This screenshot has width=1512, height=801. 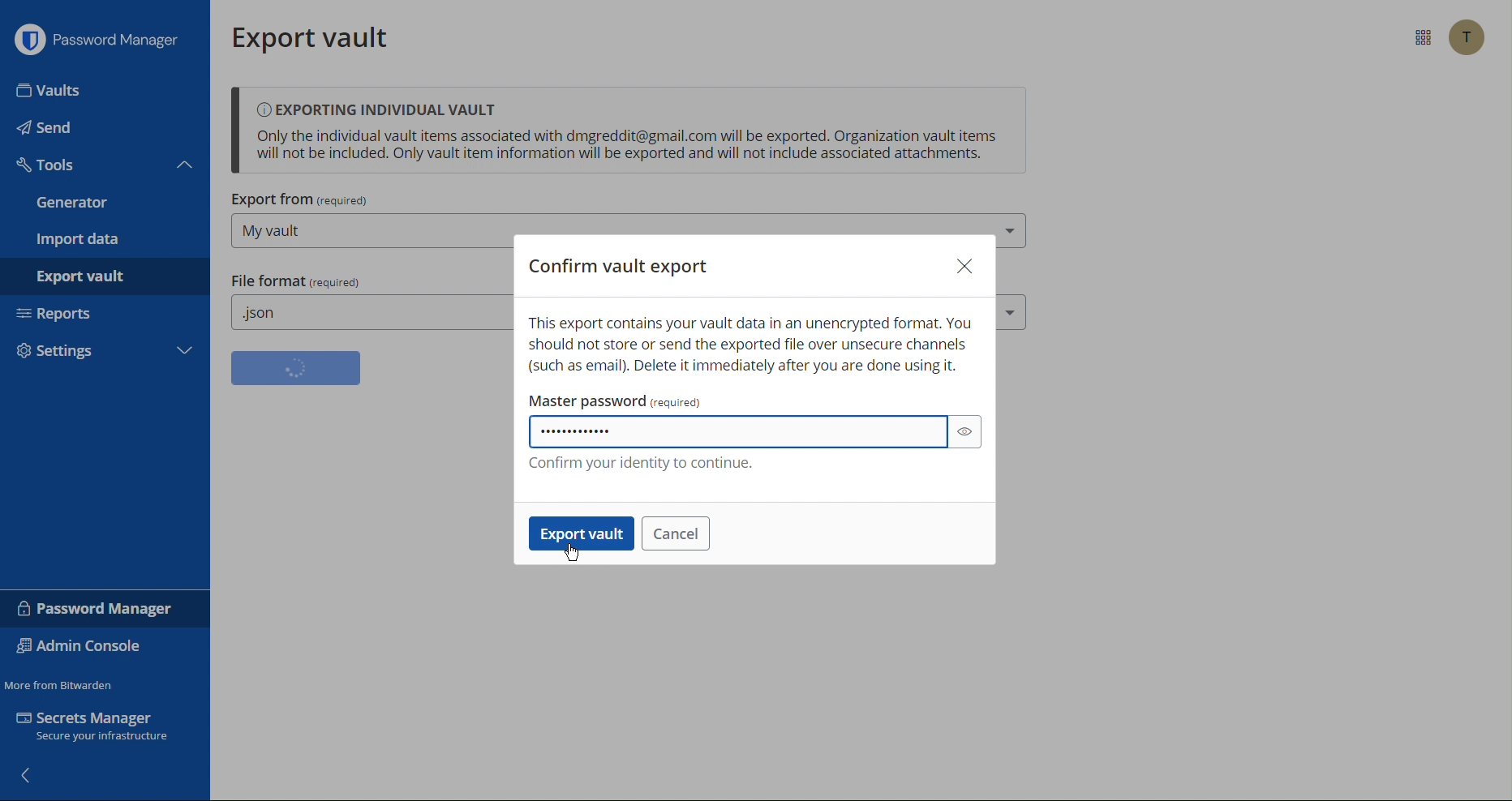 What do you see at coordinates (62, 682) in the screenshot?
I see `Move from Bitwarden` at bounding box center [62, 682].